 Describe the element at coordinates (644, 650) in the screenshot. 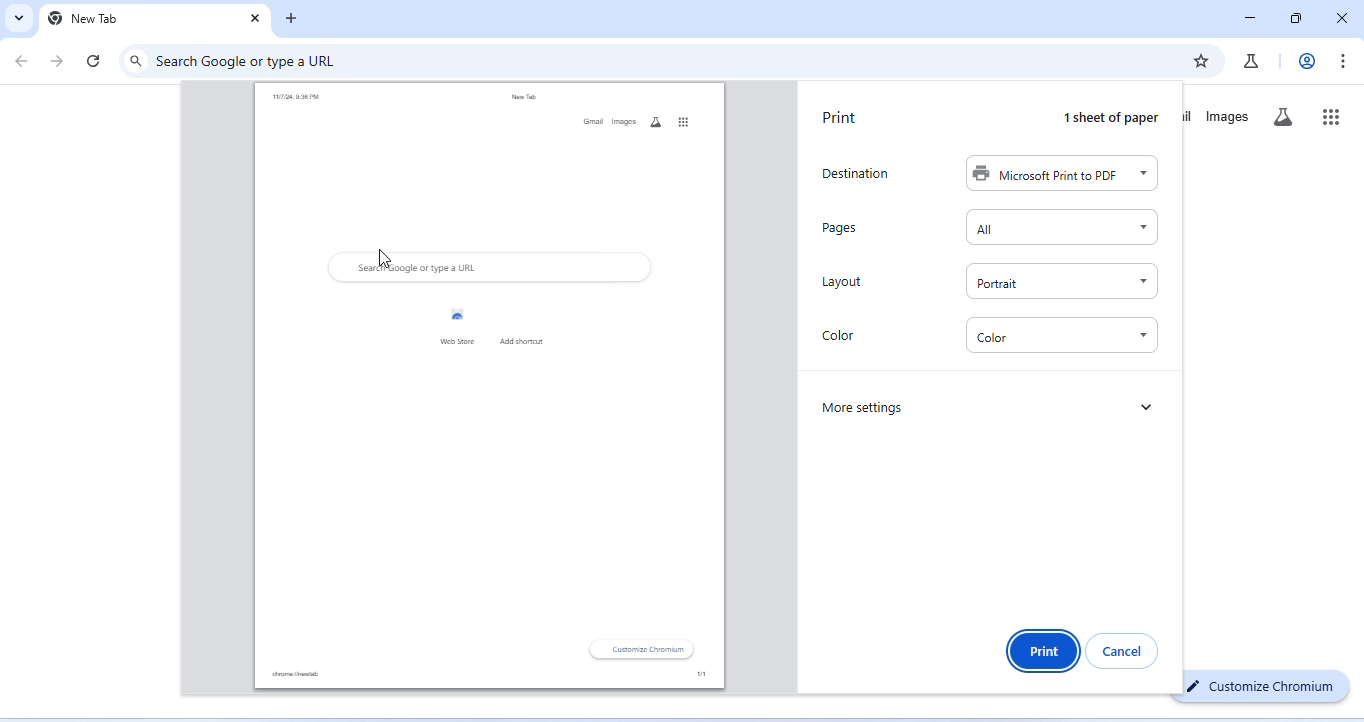

I see `customize chromium` at that location.